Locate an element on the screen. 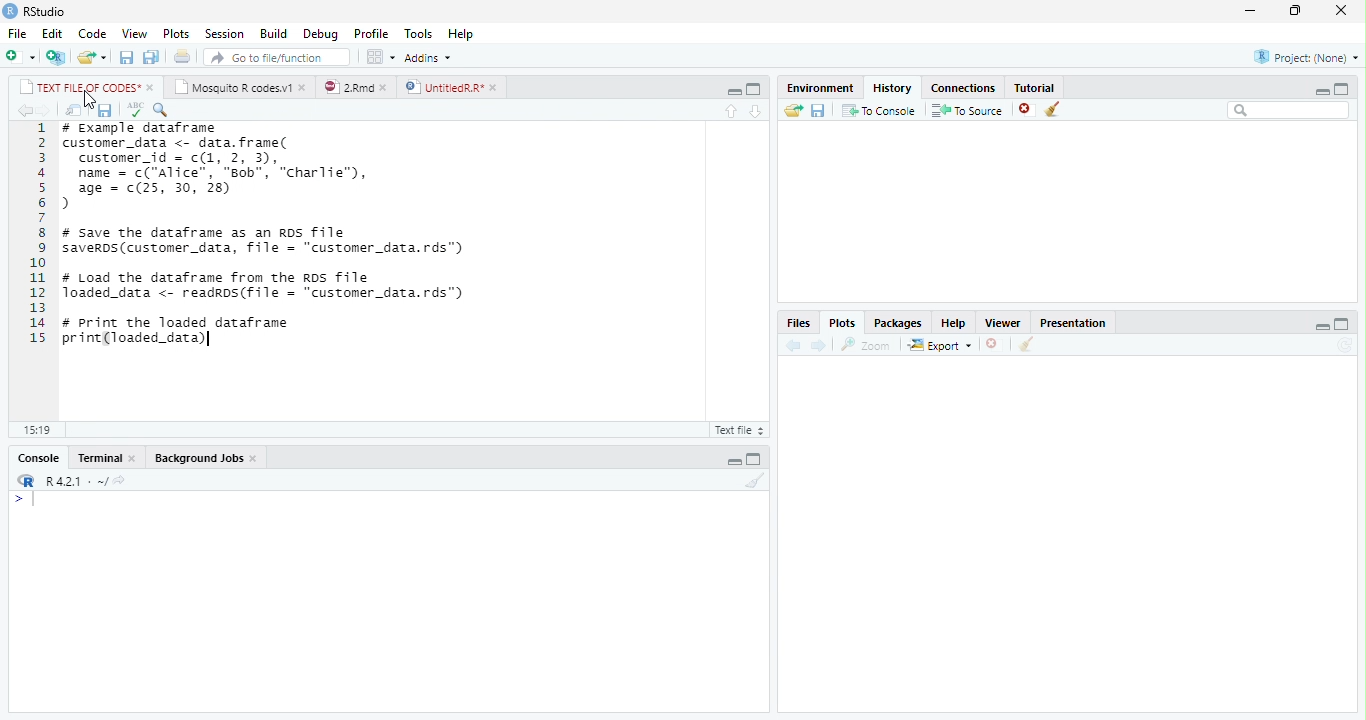  options is located at coordinates (380, 57).